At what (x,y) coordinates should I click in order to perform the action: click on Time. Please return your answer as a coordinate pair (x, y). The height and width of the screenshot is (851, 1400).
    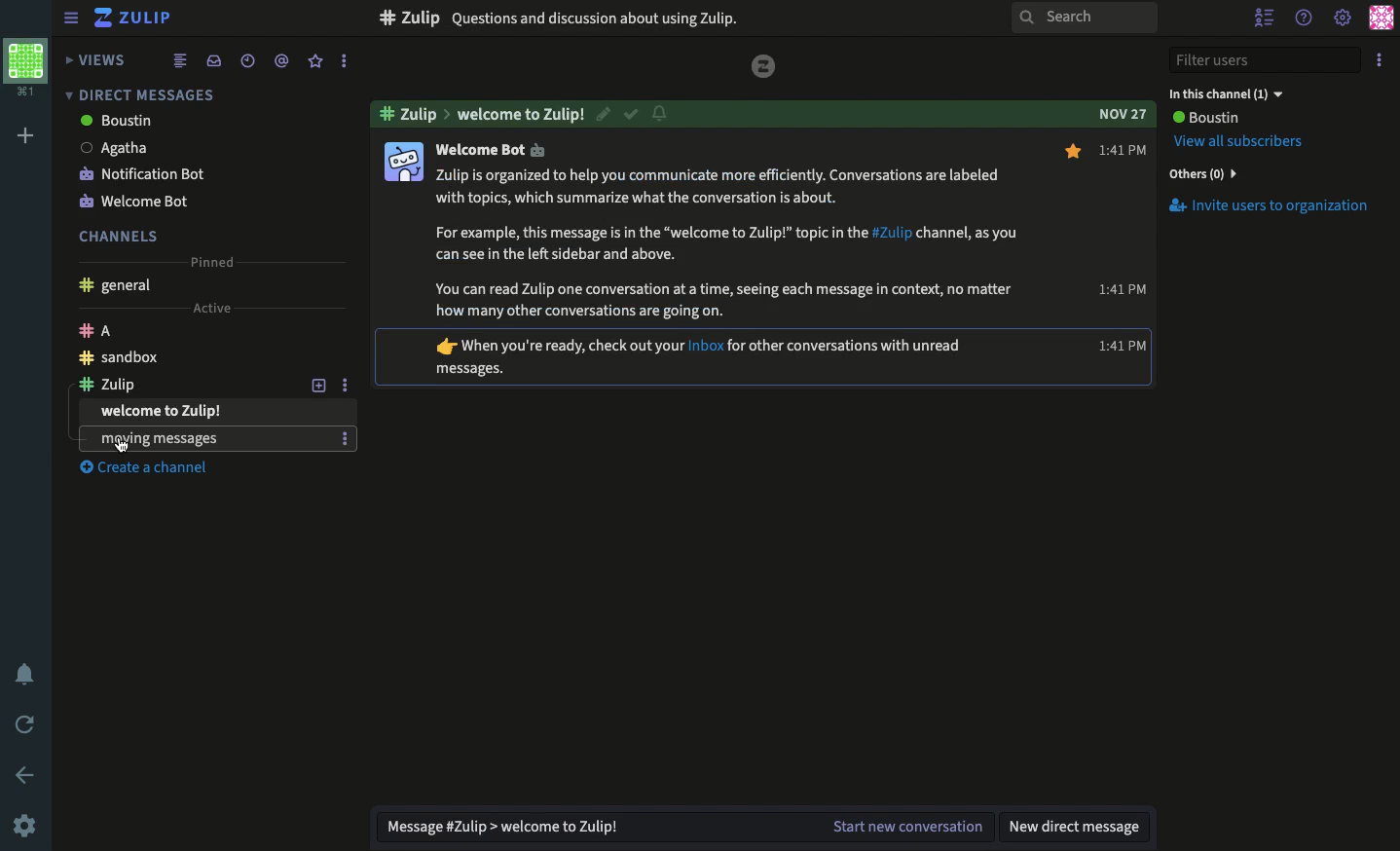
    Looking at the image, I should click on (1124, 147).